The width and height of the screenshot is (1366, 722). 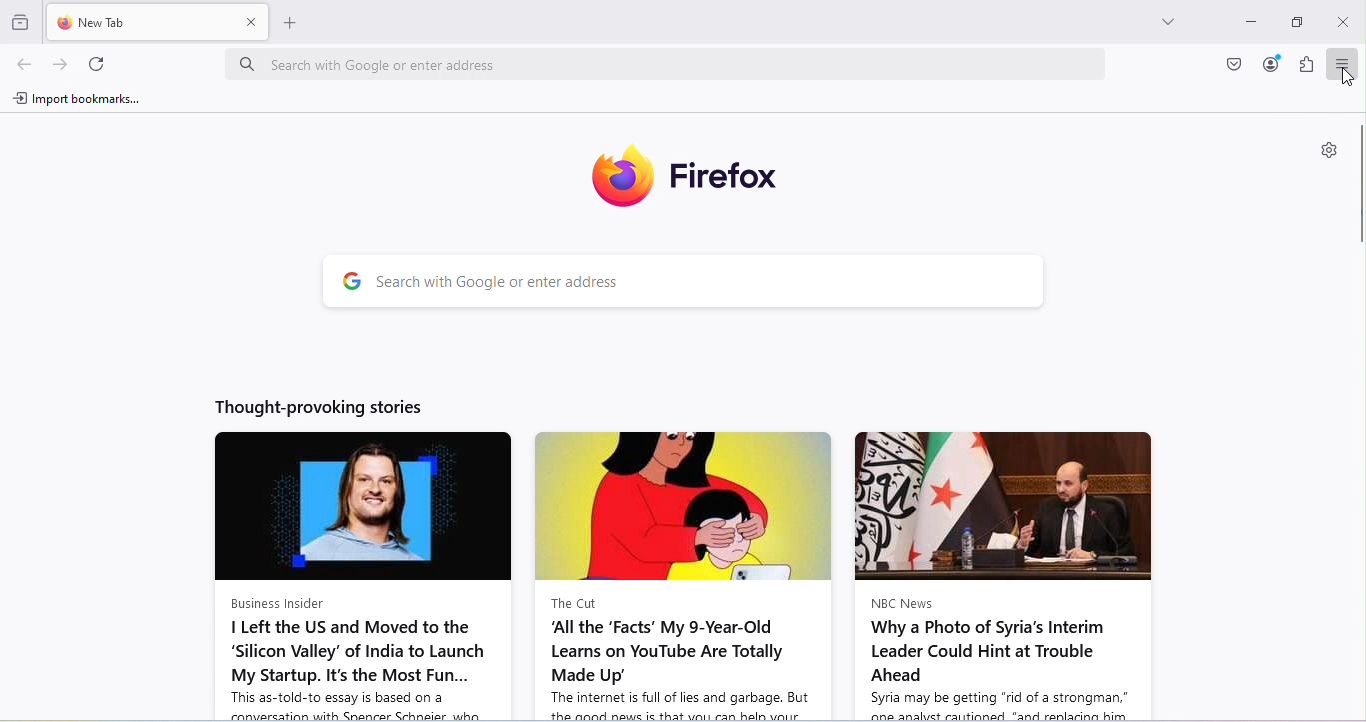 What do you see at coordinates (1357, 187) in the screenshot?
I see `Scroll bar` at bounding box center [1357, 187].